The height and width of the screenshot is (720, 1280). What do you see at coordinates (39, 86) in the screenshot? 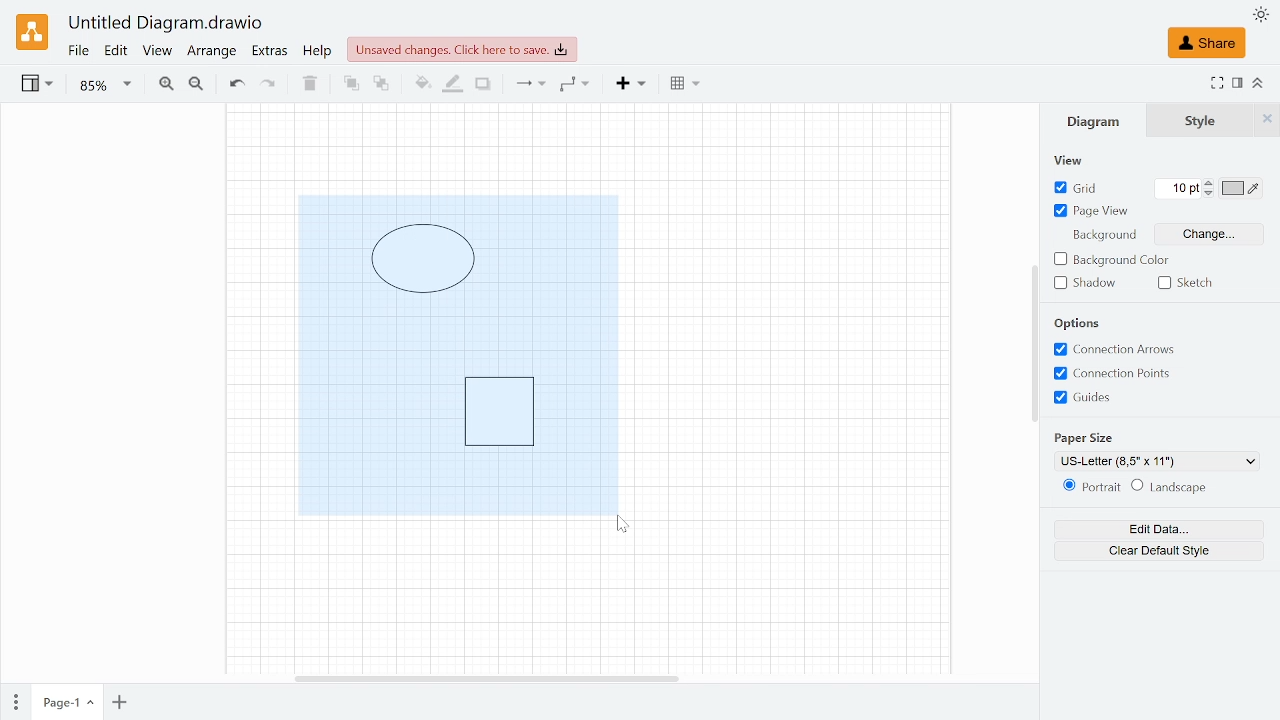
I see `View` at bounding box center [39, 86].